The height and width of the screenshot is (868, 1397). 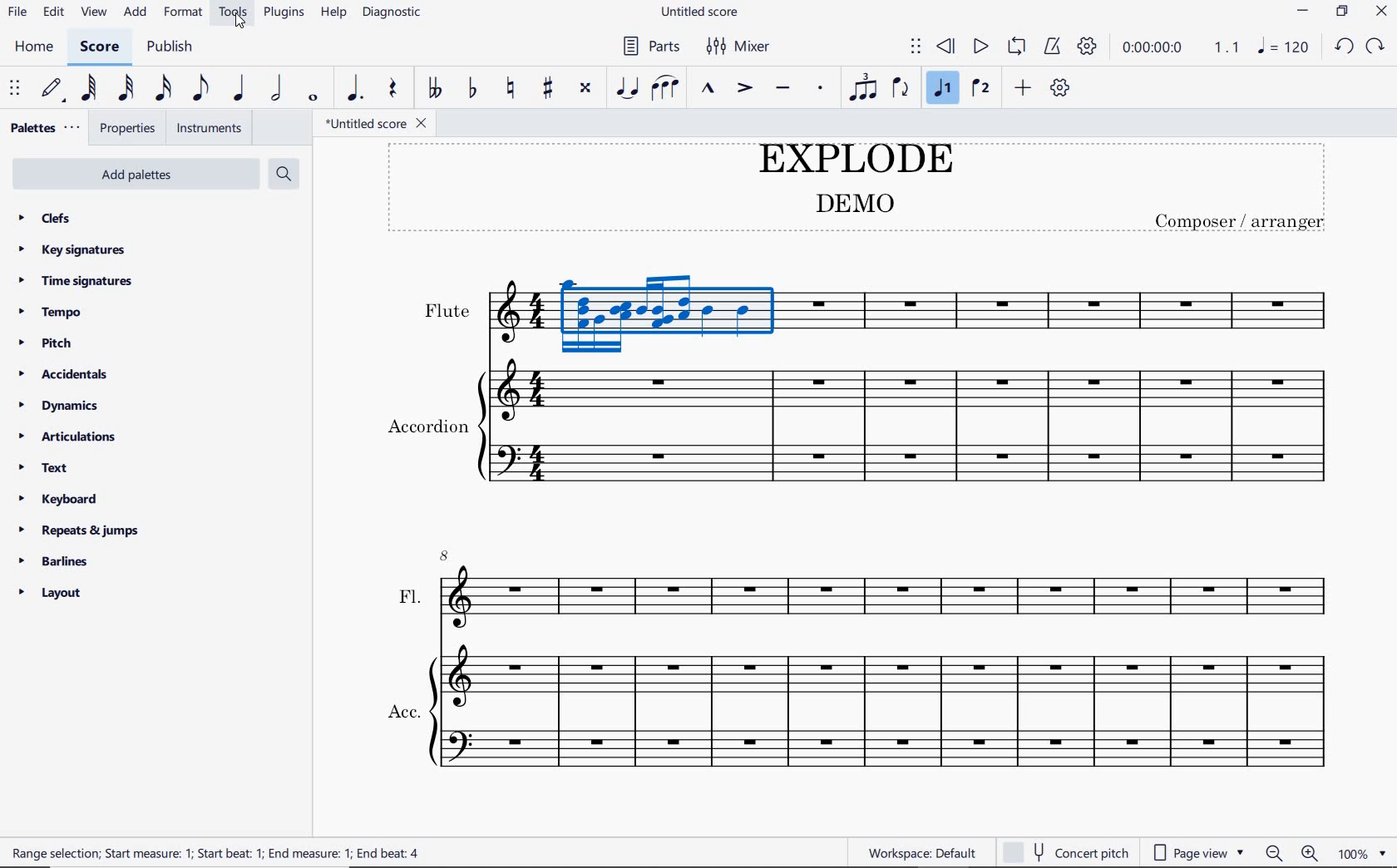 What do you see at coordinates (355, 87) in the screenshot?
I see `augmentation dot` at bounding box center [355, 87].